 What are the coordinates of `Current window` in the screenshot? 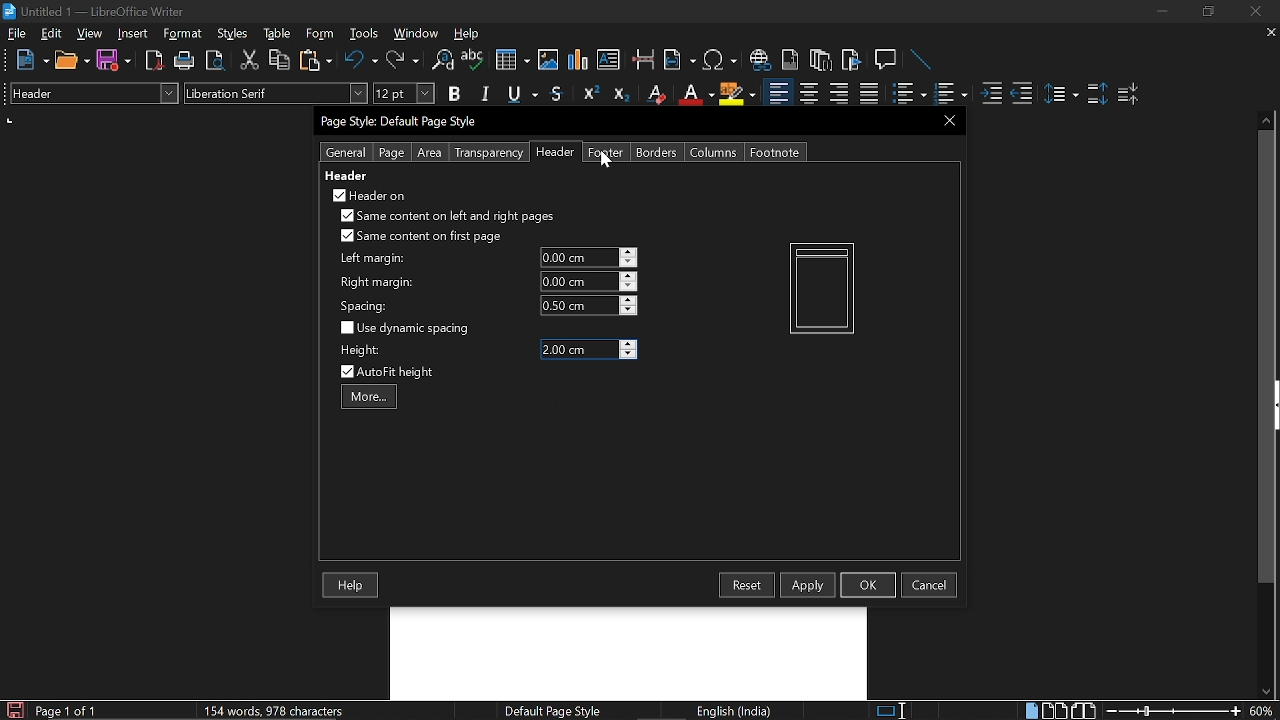 It's located at (402, 122).